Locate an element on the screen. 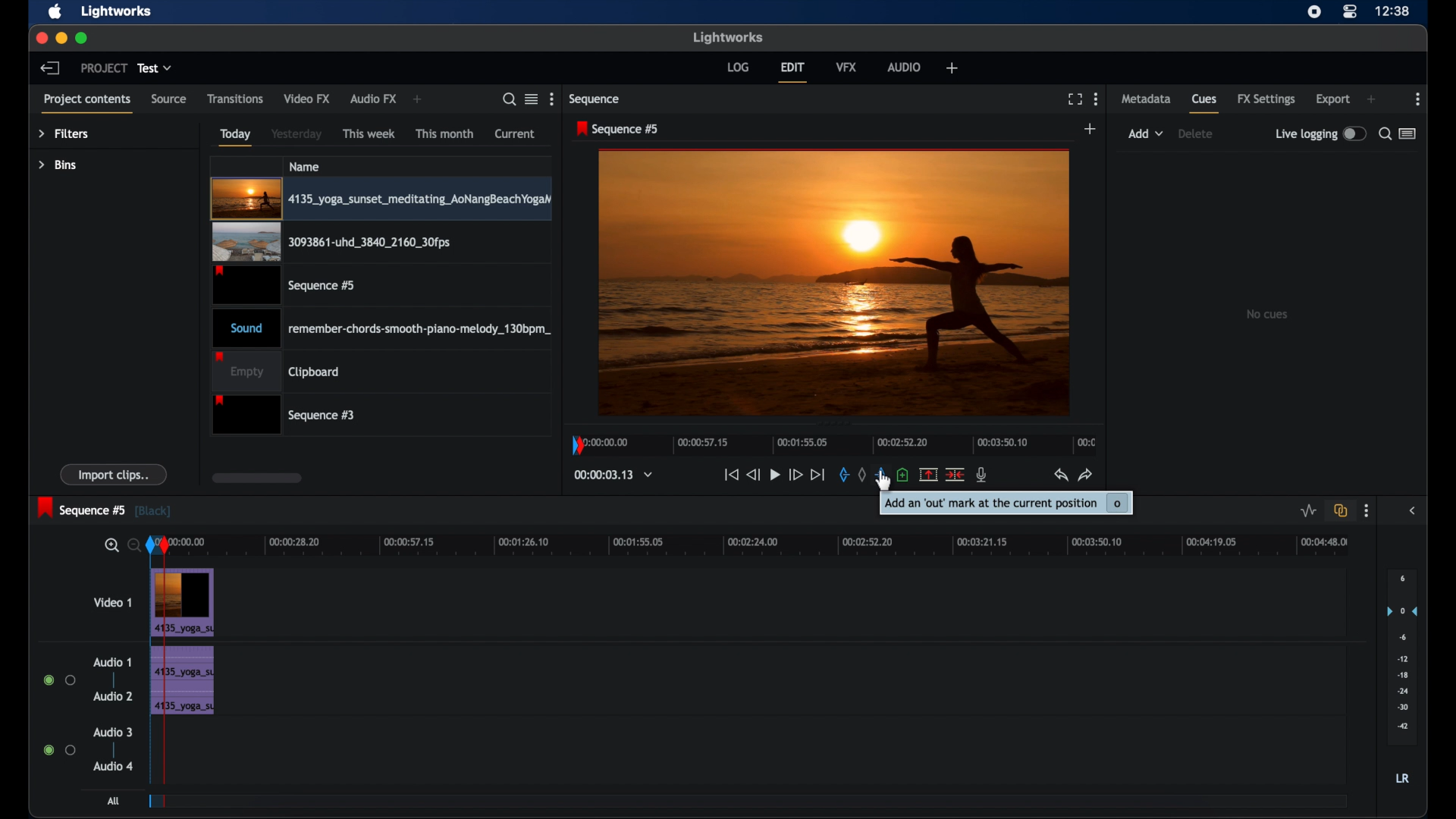 The width and height of the screenshot is (1456, 819). split is located at coordinates (955, 475).